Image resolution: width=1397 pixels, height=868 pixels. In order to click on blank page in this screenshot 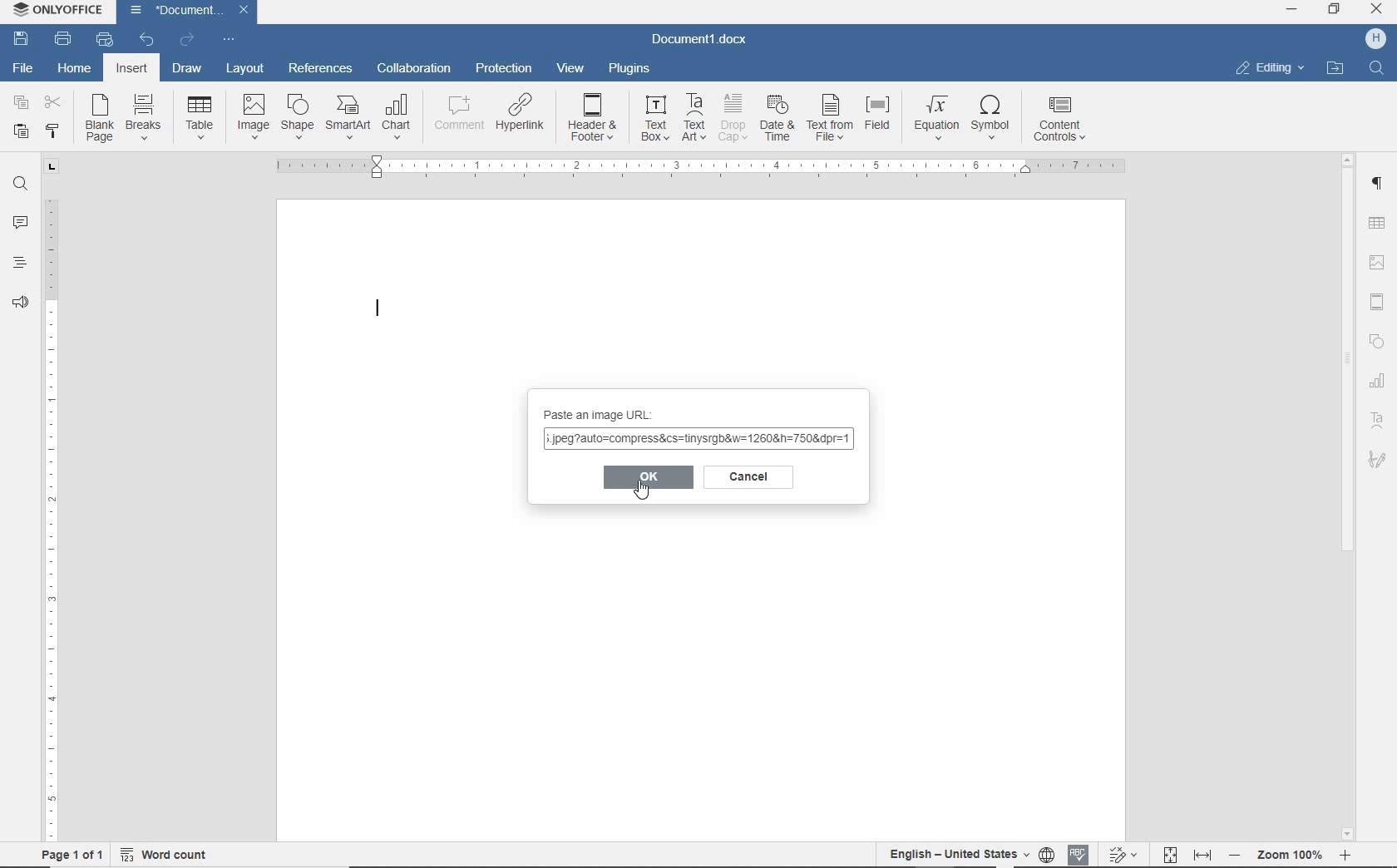, I will do `click(98, 117)`.